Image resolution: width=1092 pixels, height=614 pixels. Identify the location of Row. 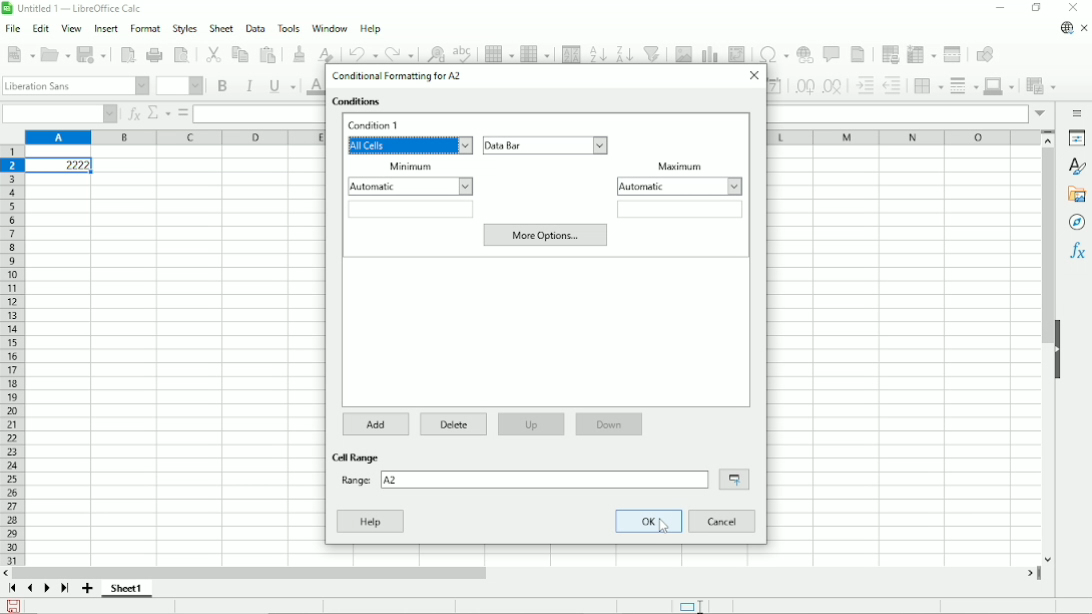
(499, 53).